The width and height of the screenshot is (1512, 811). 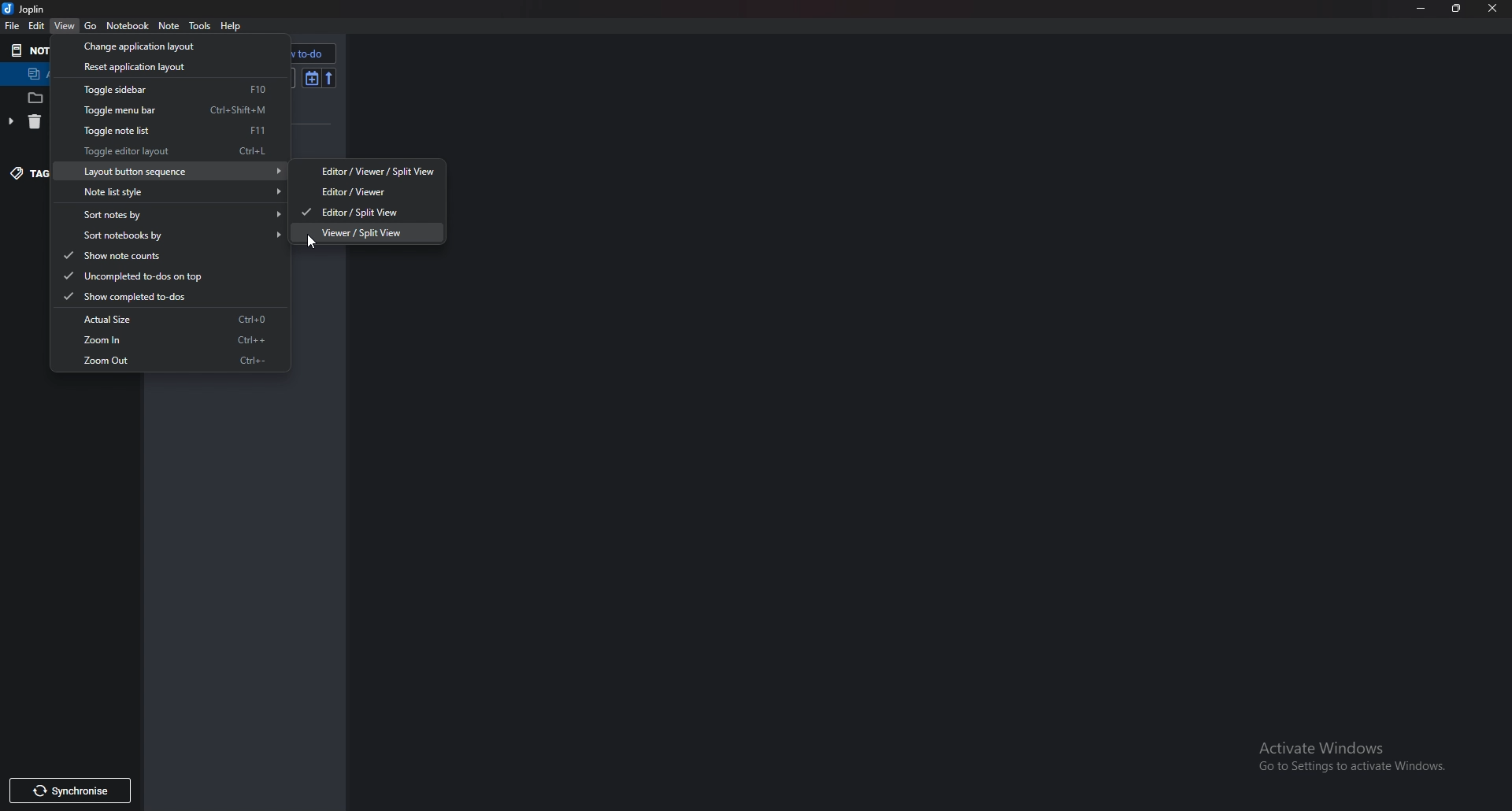 I want to click on file, so click(x=15, y=26).